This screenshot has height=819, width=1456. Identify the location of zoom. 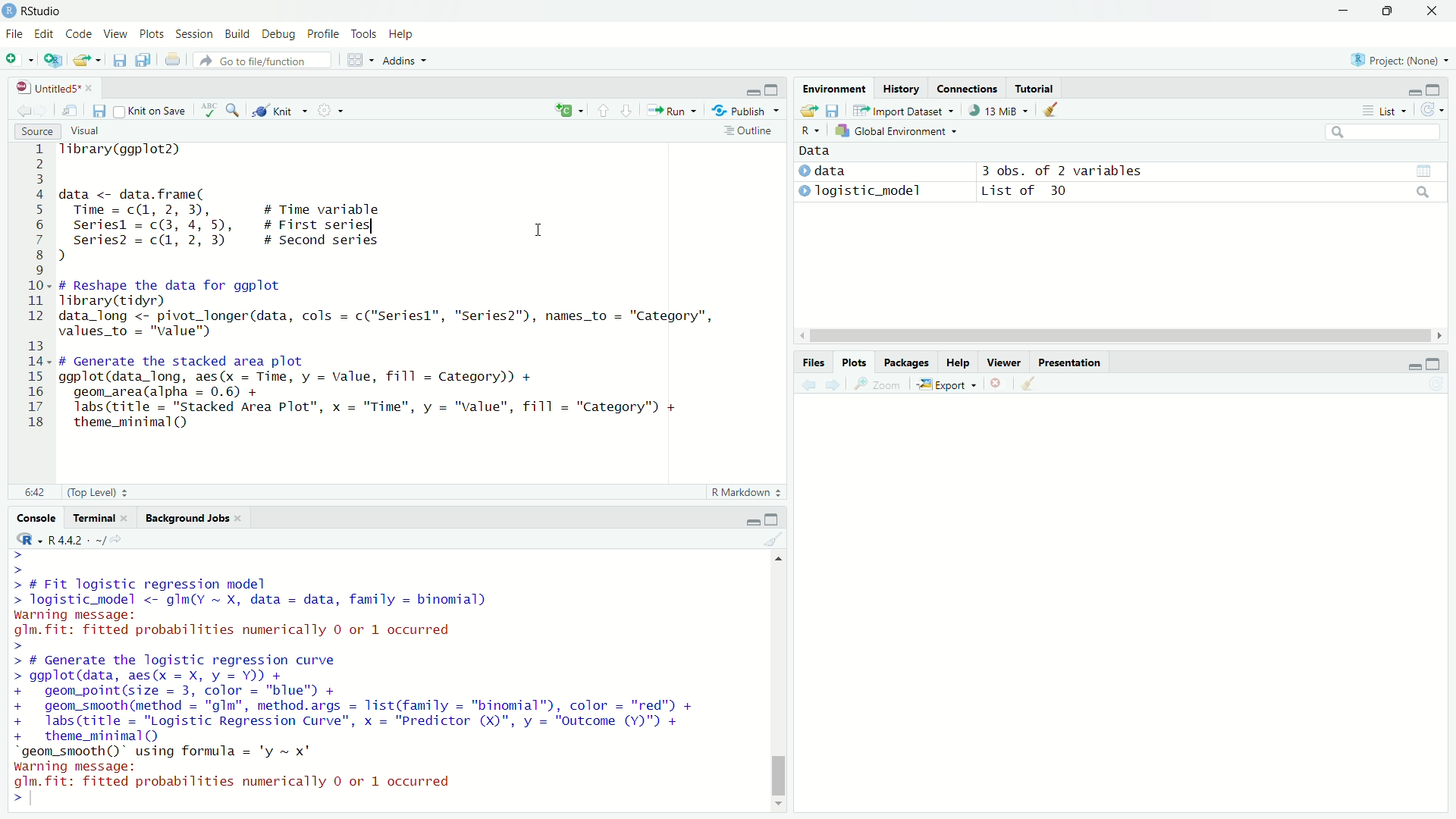
(880, 387).